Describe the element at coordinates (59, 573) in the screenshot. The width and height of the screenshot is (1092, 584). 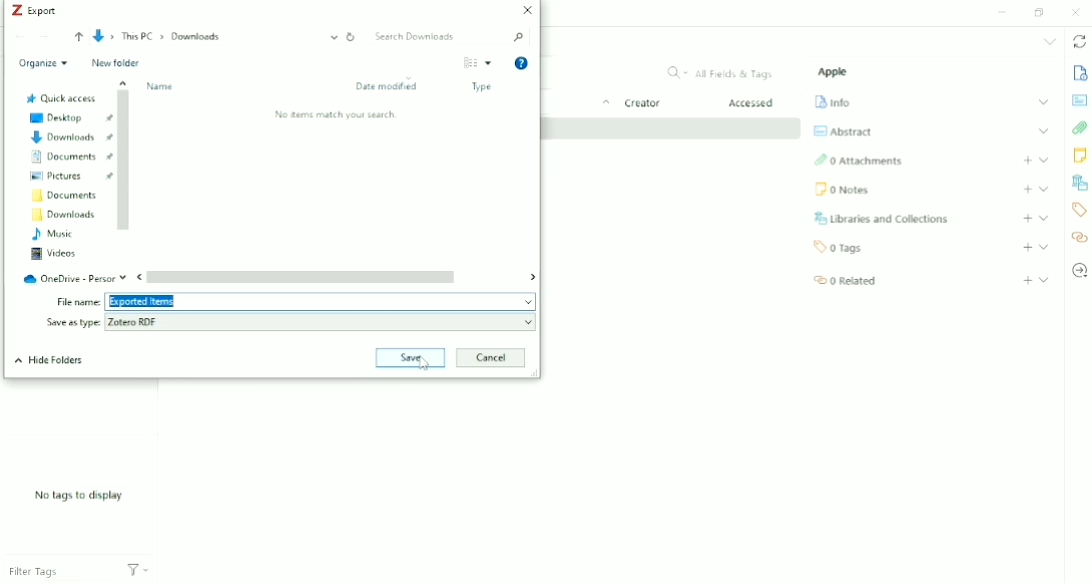
I see `Filter Tags` at that location.